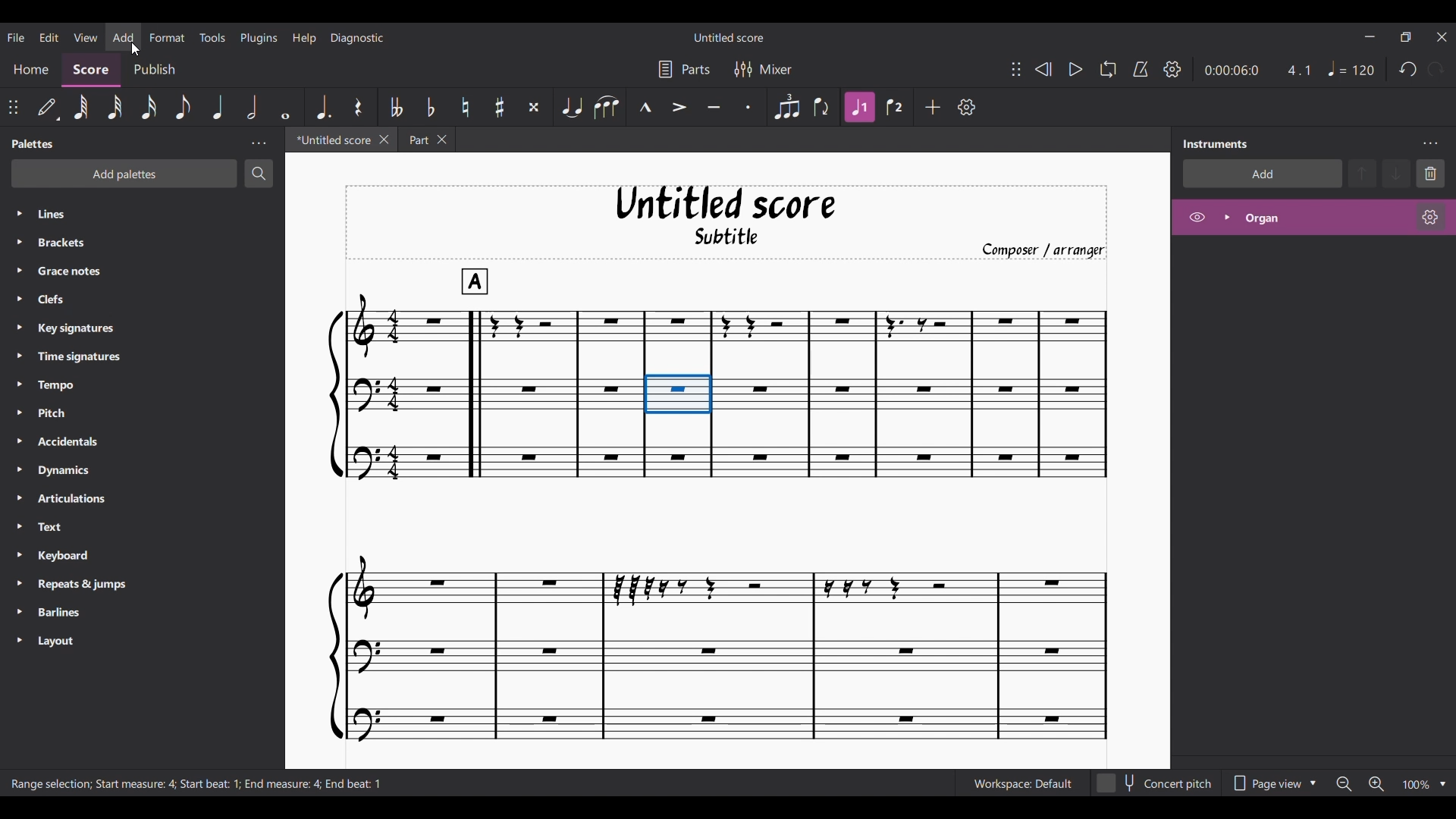 The image size is (1456, 819). What do you see at coordinates (13, 107) in the screenshot?
I see `Change position of toolbar attached` at bounding box center [13, 107].